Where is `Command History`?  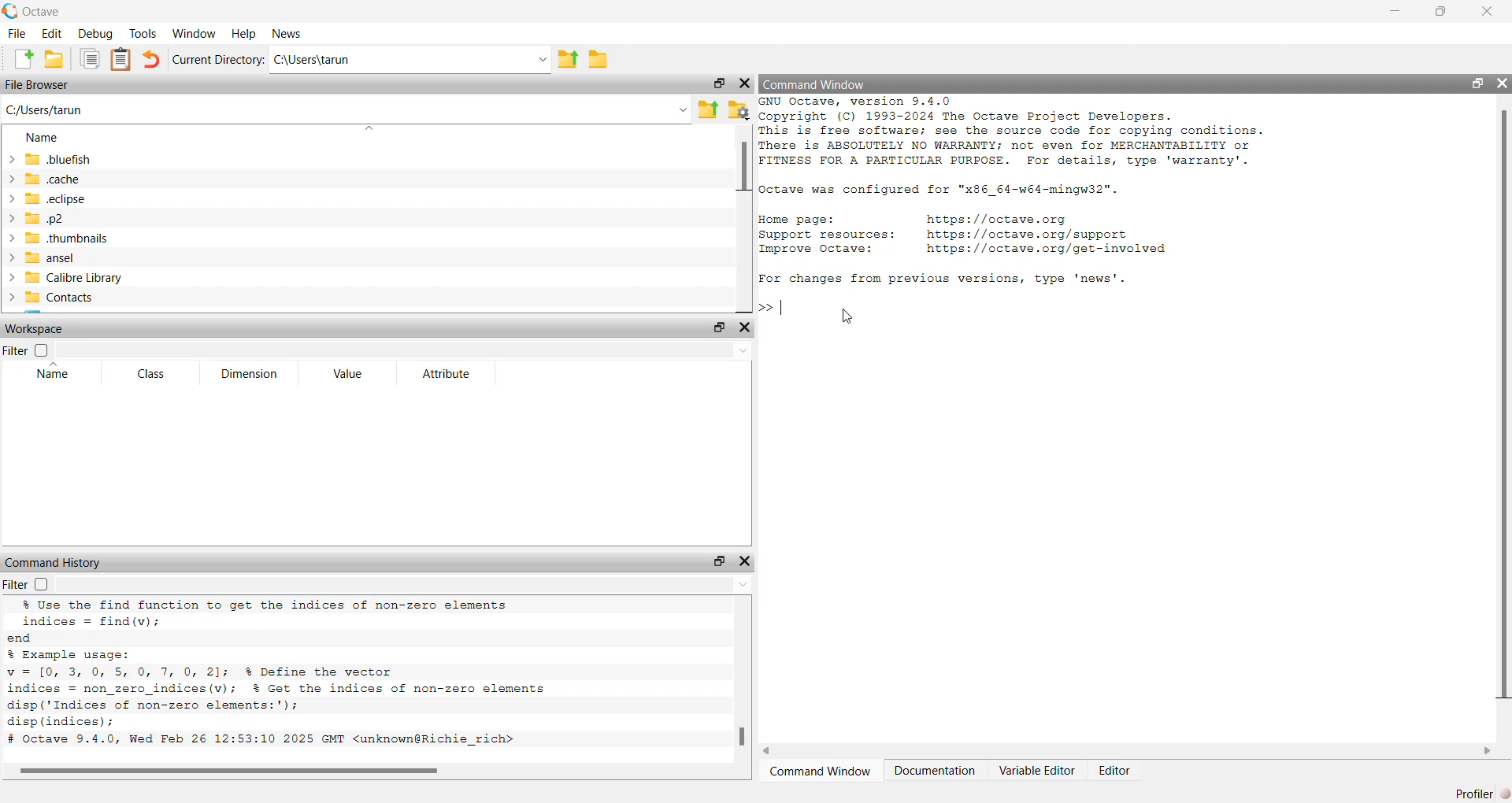 Command History is located at coordinates (56, 561).